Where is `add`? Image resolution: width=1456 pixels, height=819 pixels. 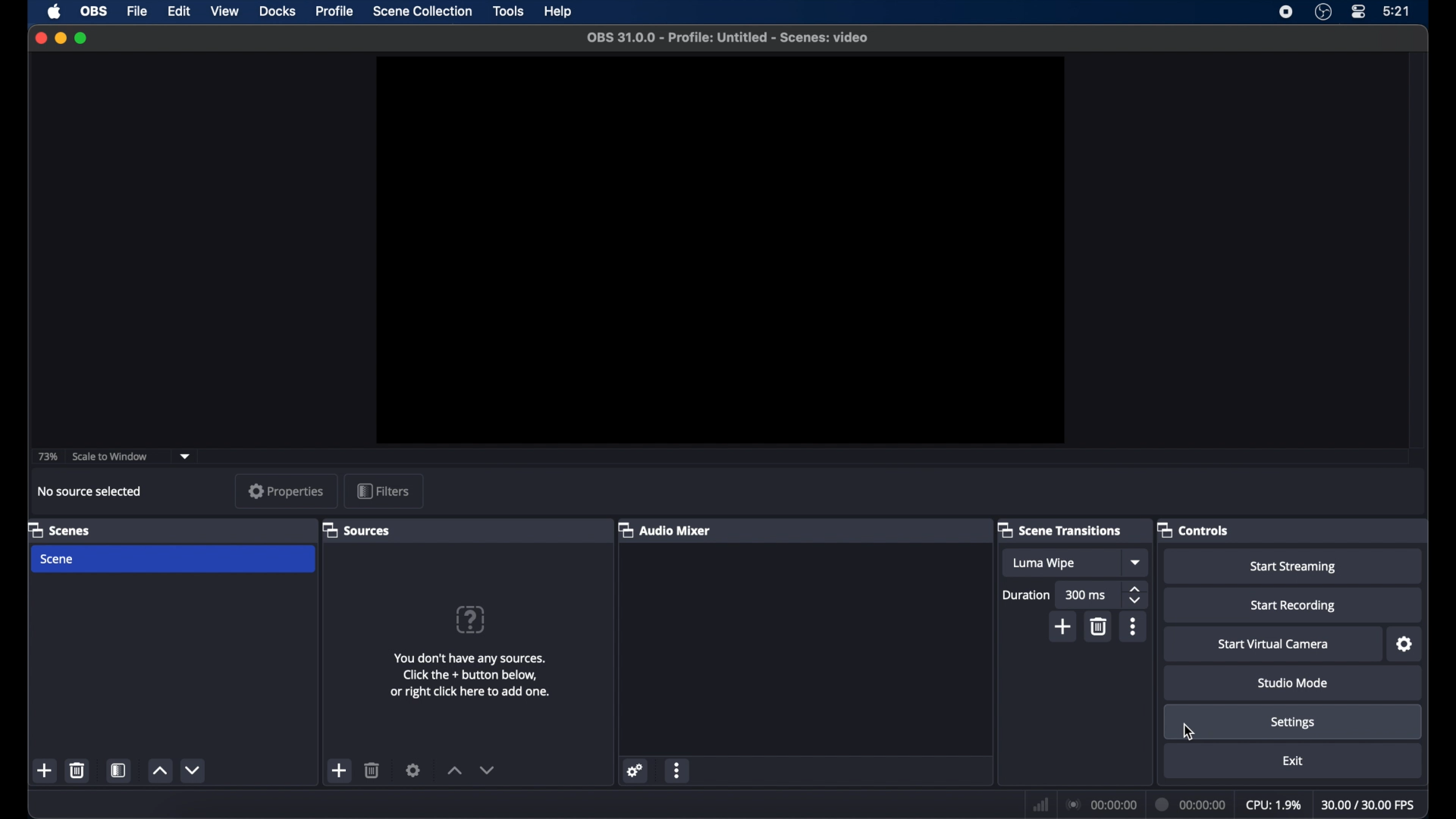
add is located at coordinates (45, 770).